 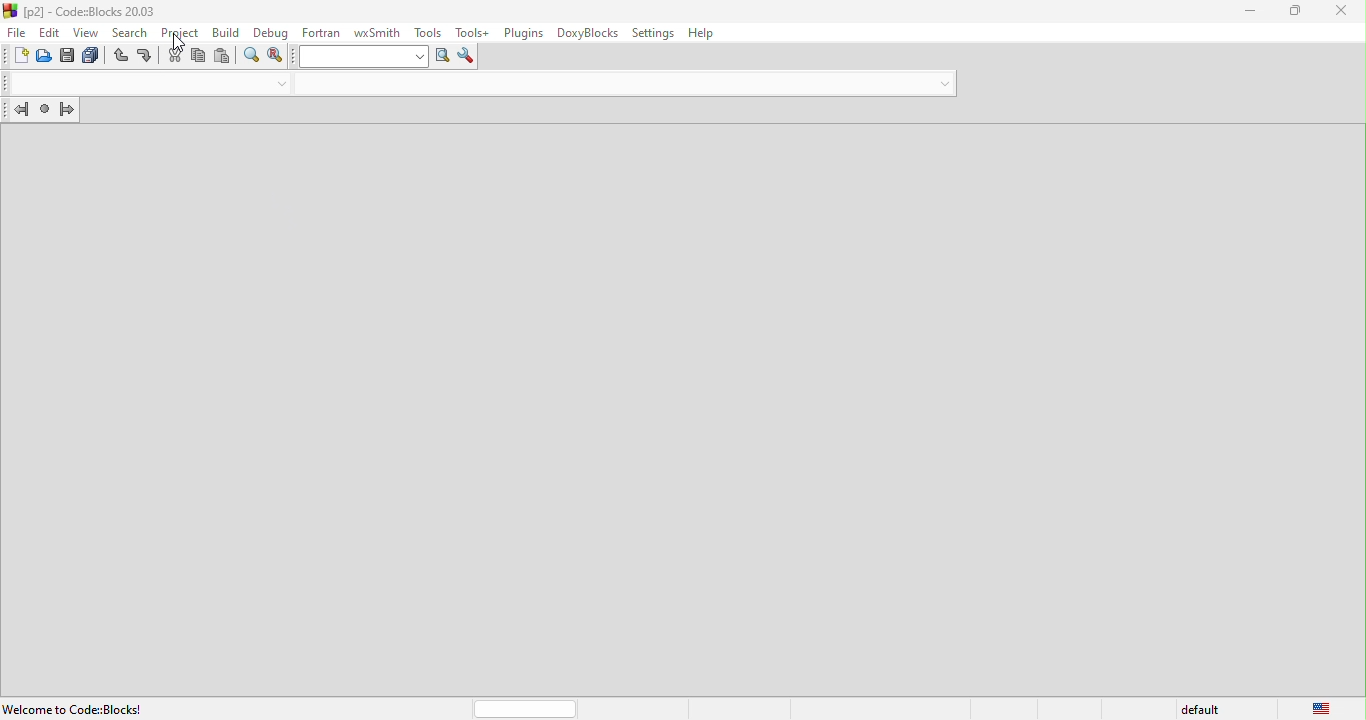 What do you see at coordinates (146, 57) in the screenshot?
I see `redo` at bounding box center [146, 57].